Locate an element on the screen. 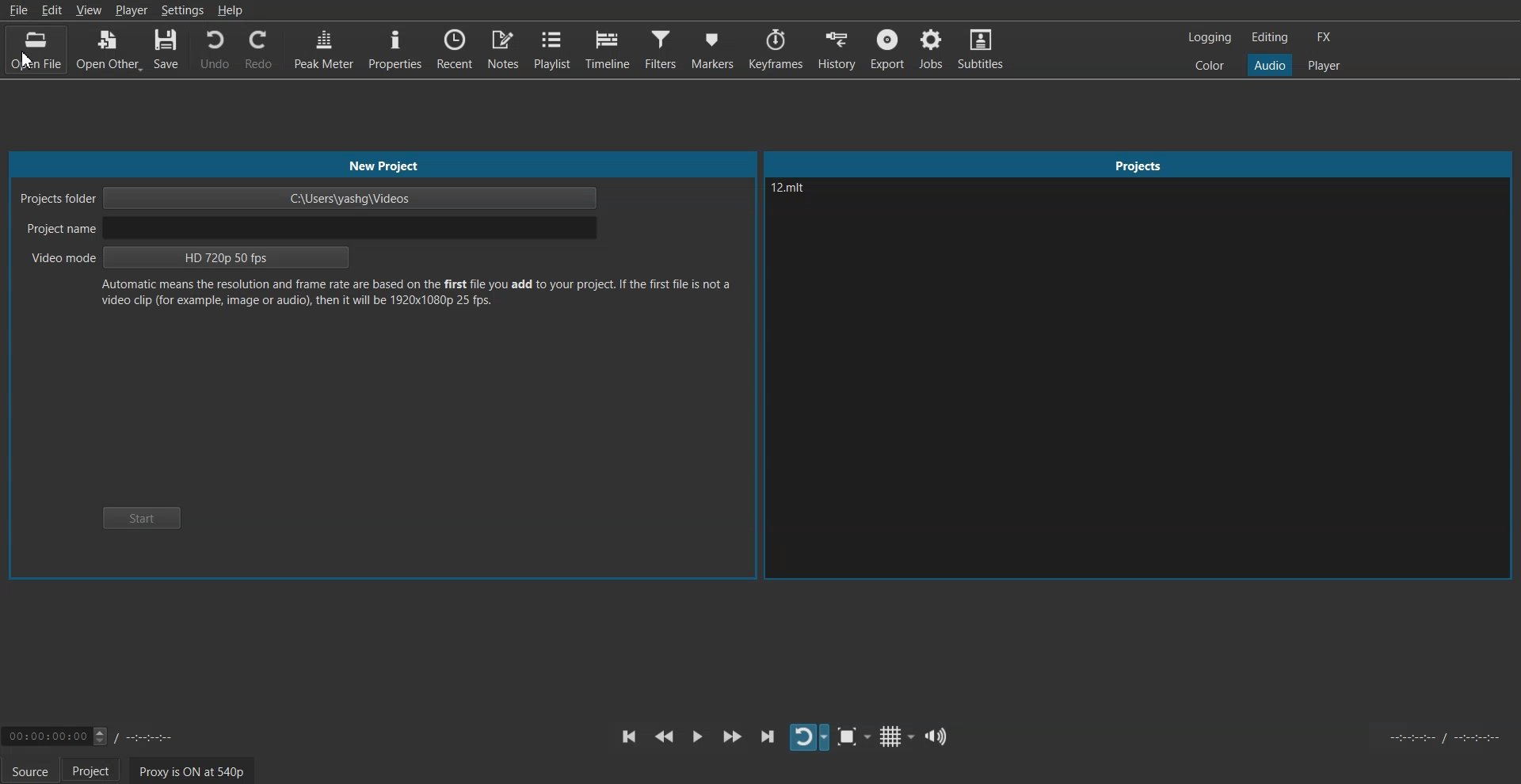 The height and width of the screenshot is (784, 1521). Logging is located at coordinates (1210, 37).